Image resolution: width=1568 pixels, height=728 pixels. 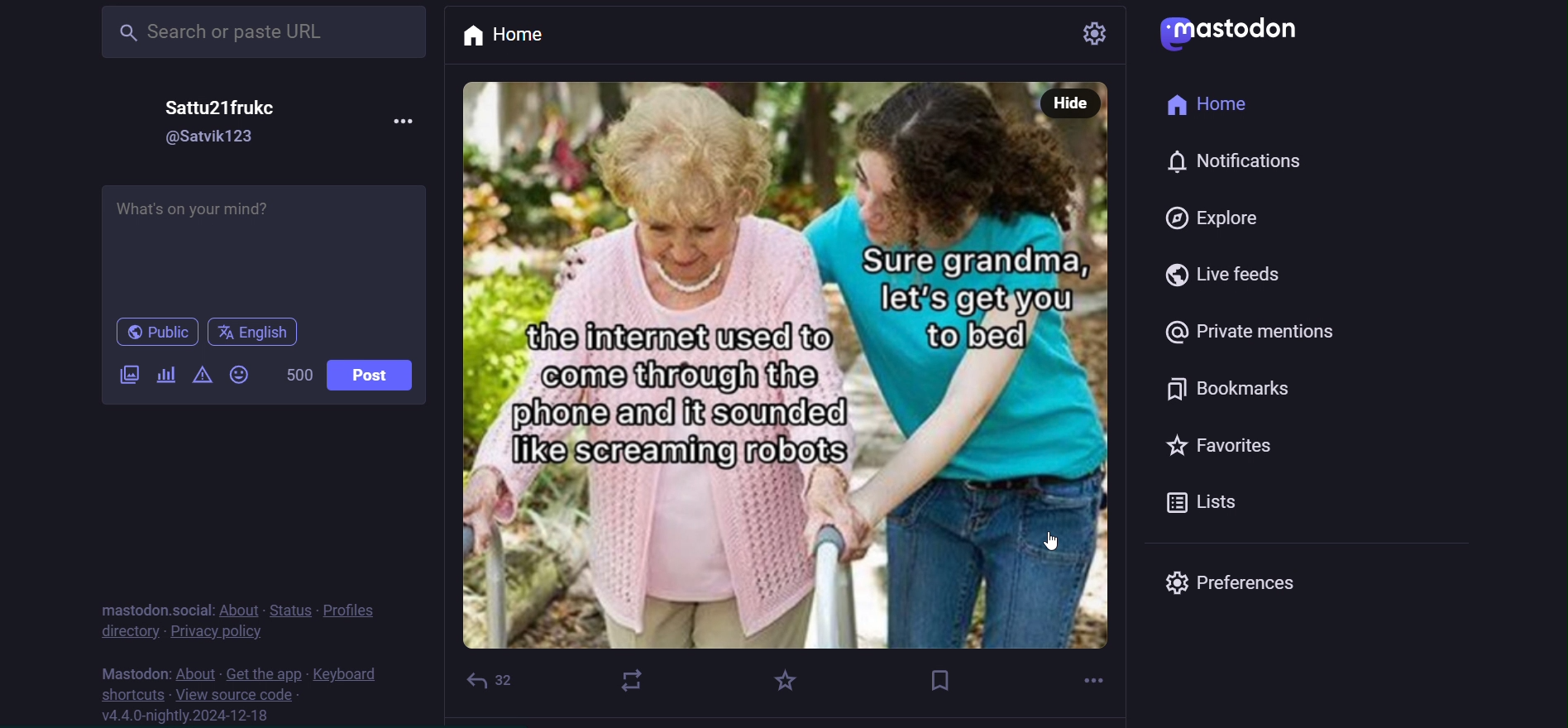 What do you see at coordinates (354, 608) in the screenshot?
I see `profiles` at bounding box center [354, 608].